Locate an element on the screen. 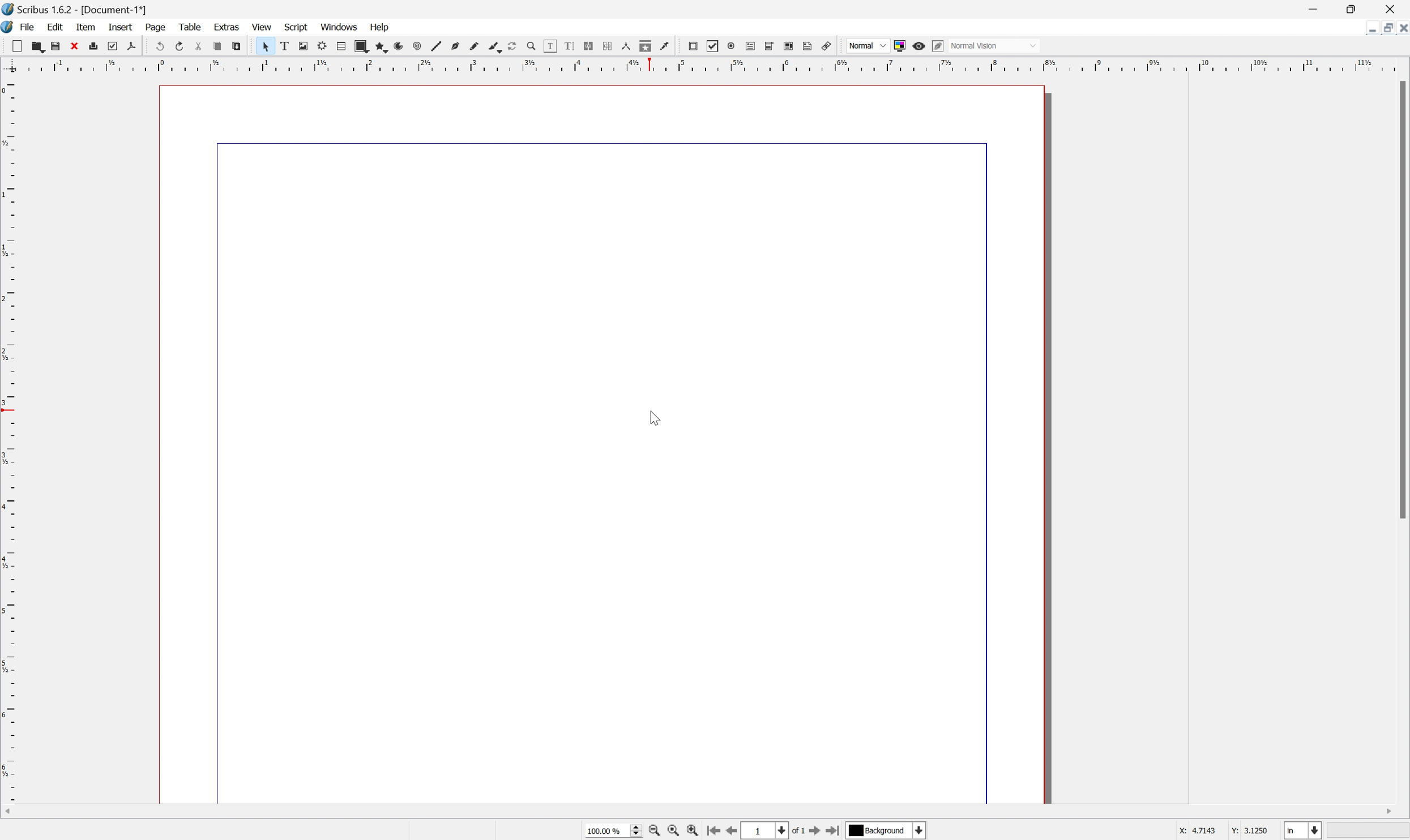 The image size is (1410, 840). bezier curve is located at coordinates (456, 45).